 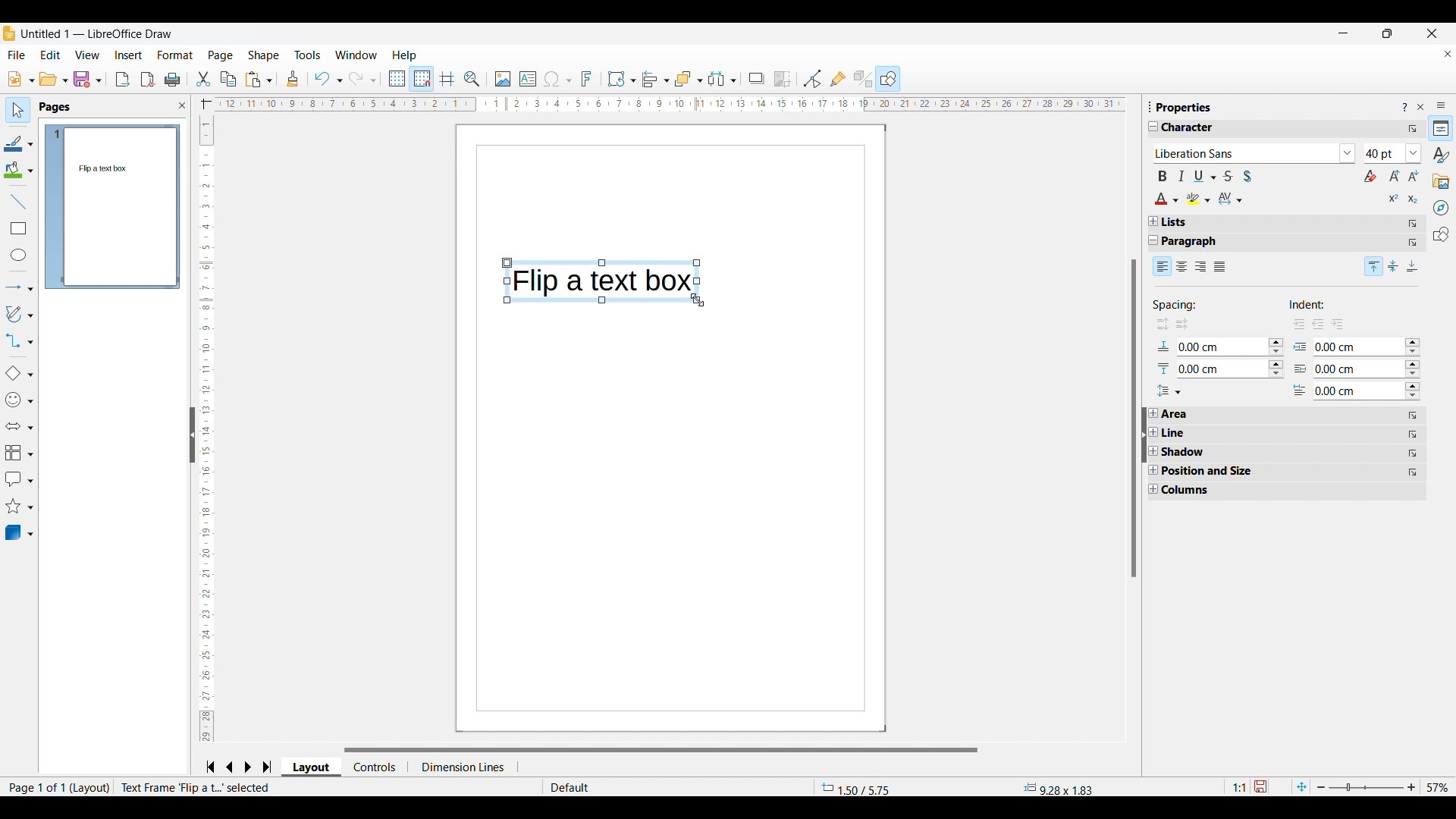 What do you see at coordinates (1414, 175) in the screenshot?
I see `Decrease font size` at bounding box center [1414, 175].